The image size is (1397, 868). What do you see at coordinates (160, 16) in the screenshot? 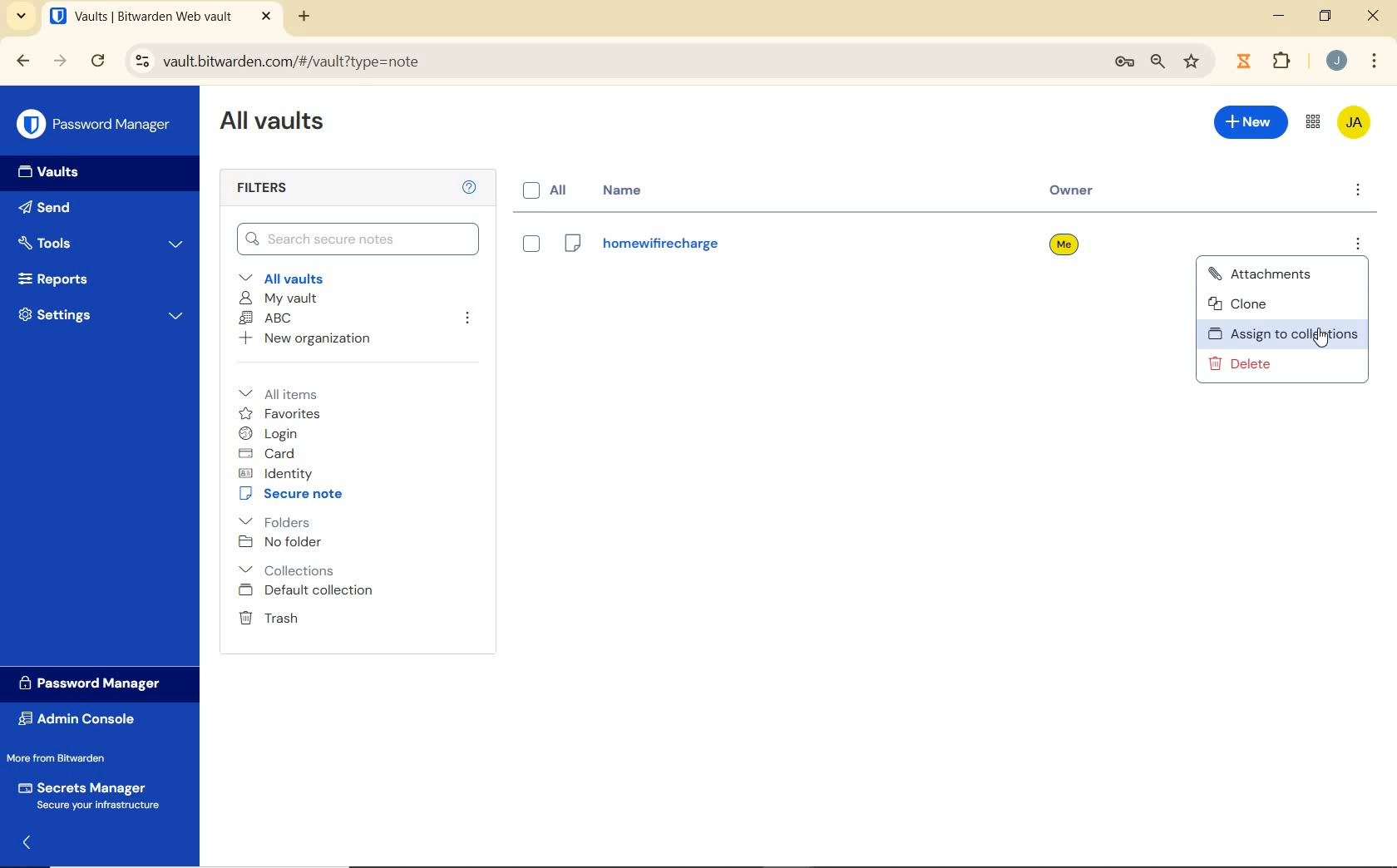
I see `open tab` at bounding box center [160, 16].